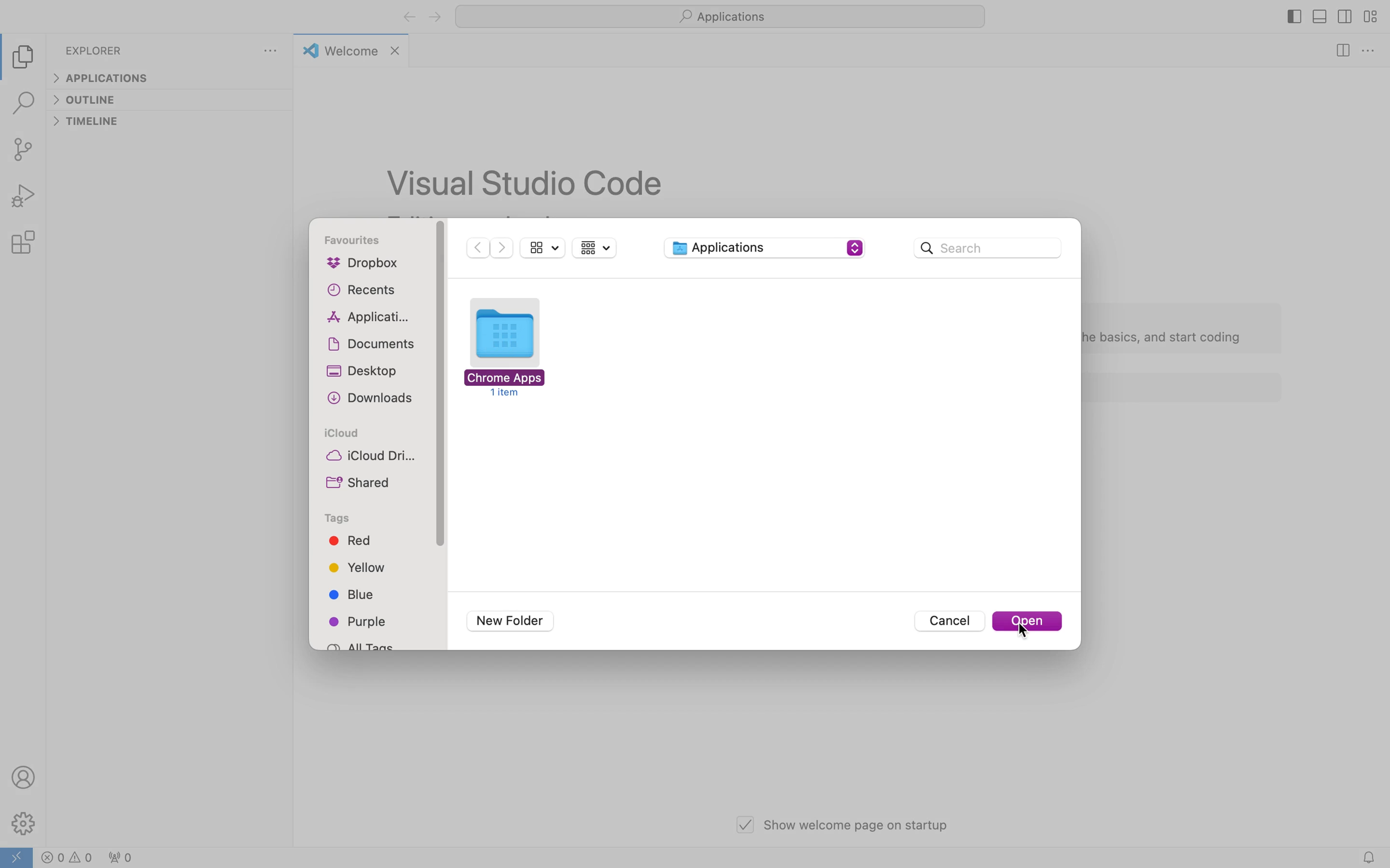 The image size is (1390, 868). I want to click on applications, so click(762, 249).